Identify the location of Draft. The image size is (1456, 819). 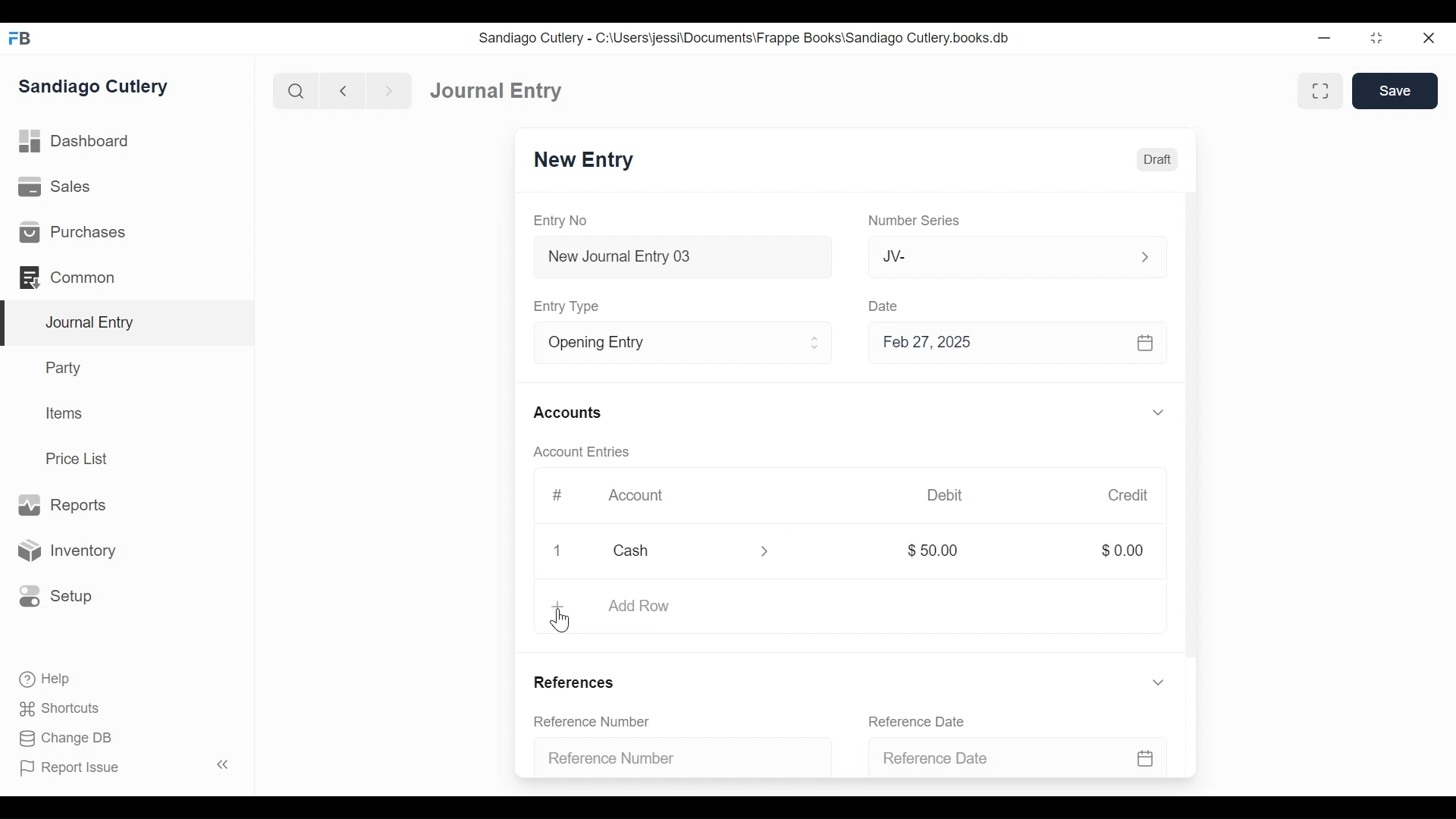
(1156, 161).